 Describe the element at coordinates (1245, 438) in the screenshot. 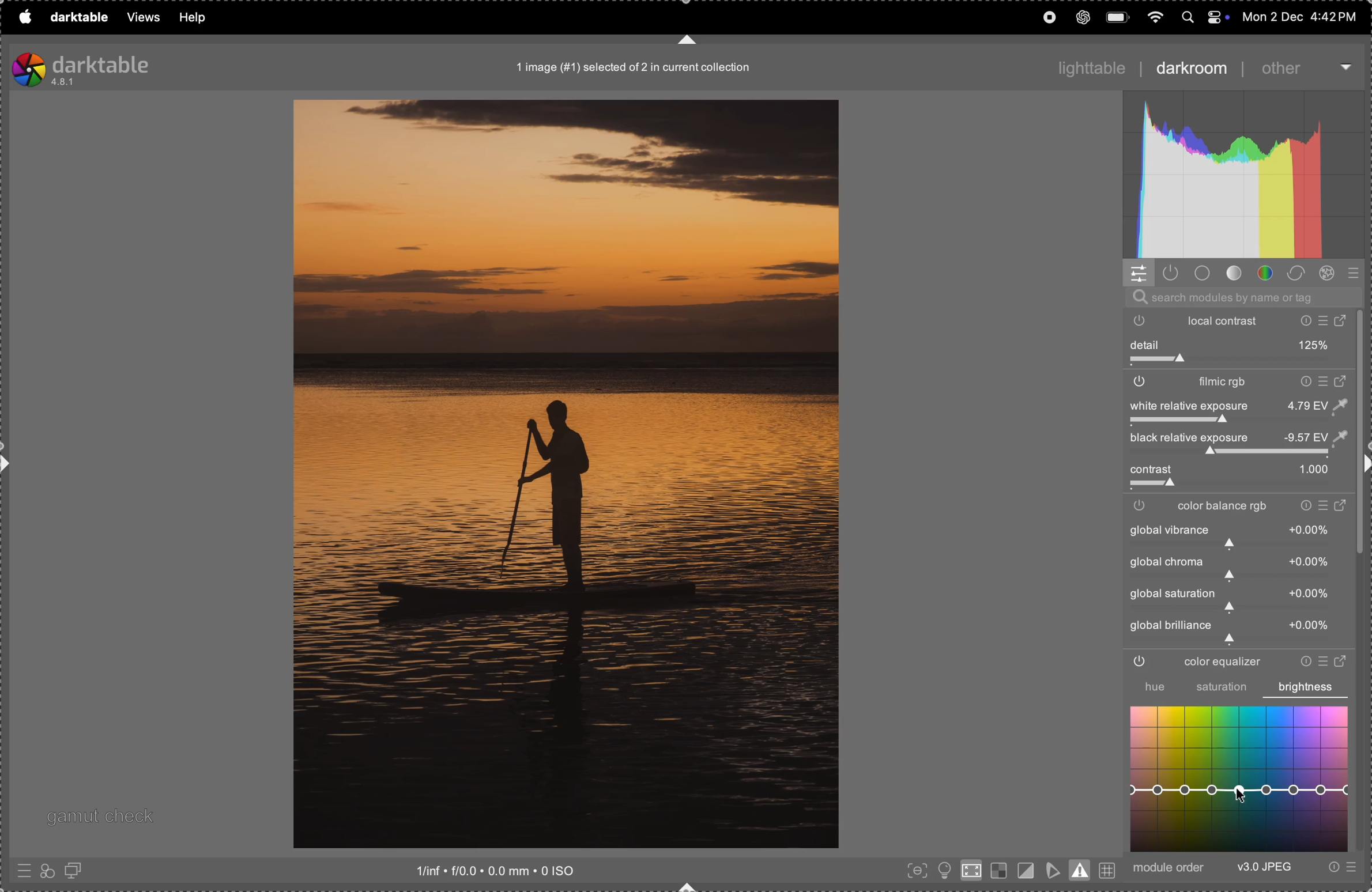

I see `black relavtive exposure` at that location.